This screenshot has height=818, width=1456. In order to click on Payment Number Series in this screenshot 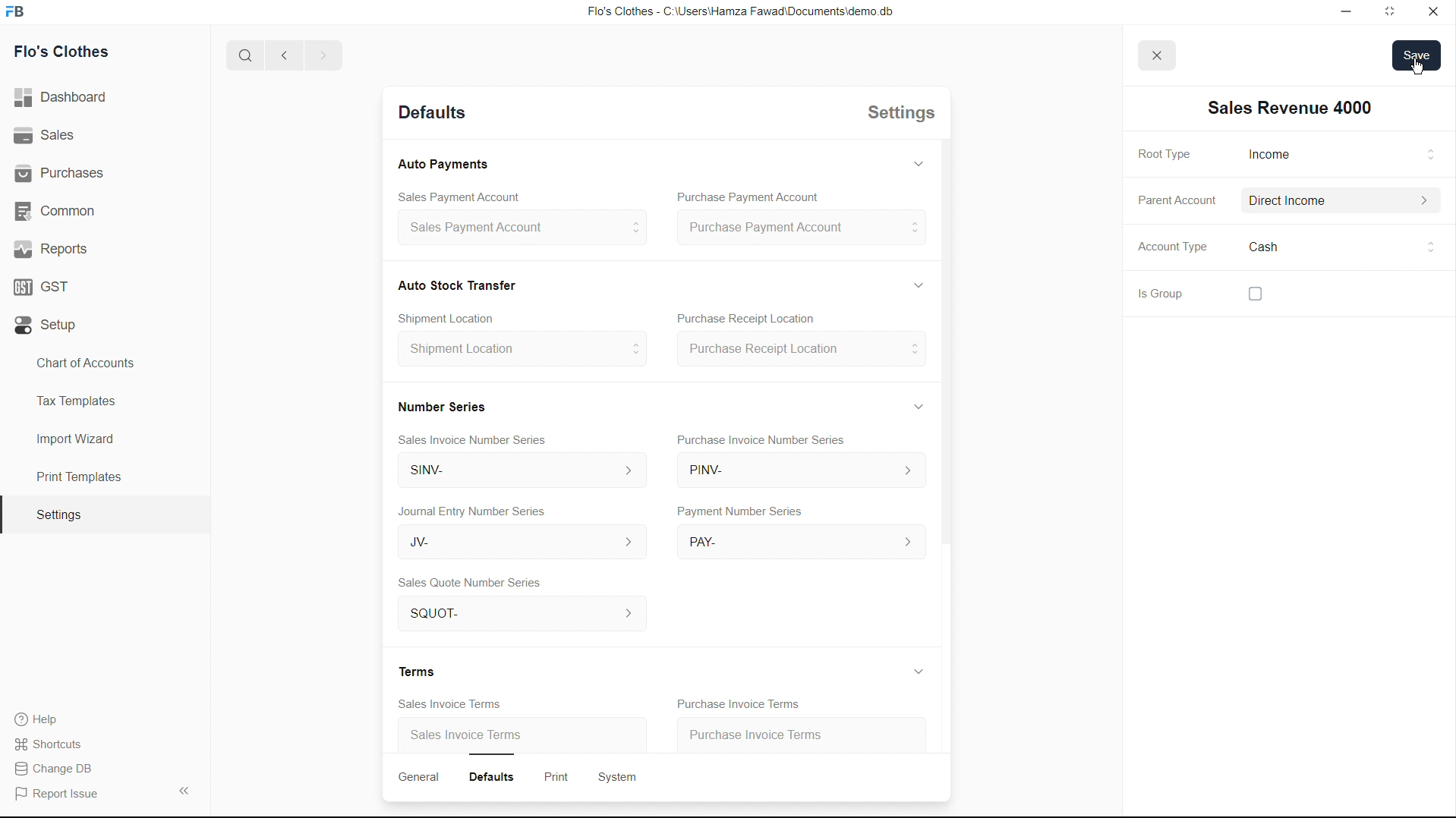, I will do `click(736, 512)`.